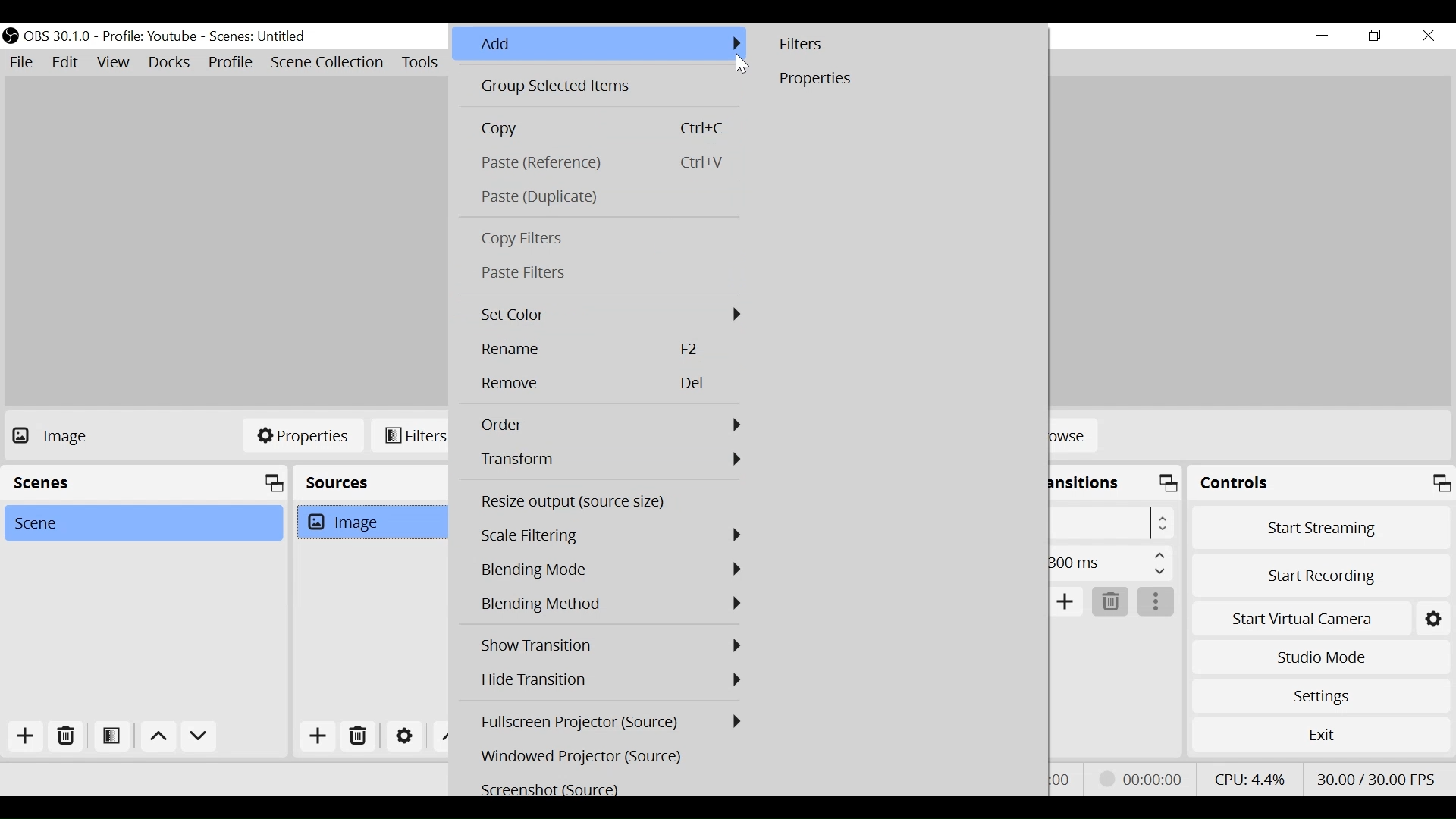  I want to click on Image, so click(350, 531).